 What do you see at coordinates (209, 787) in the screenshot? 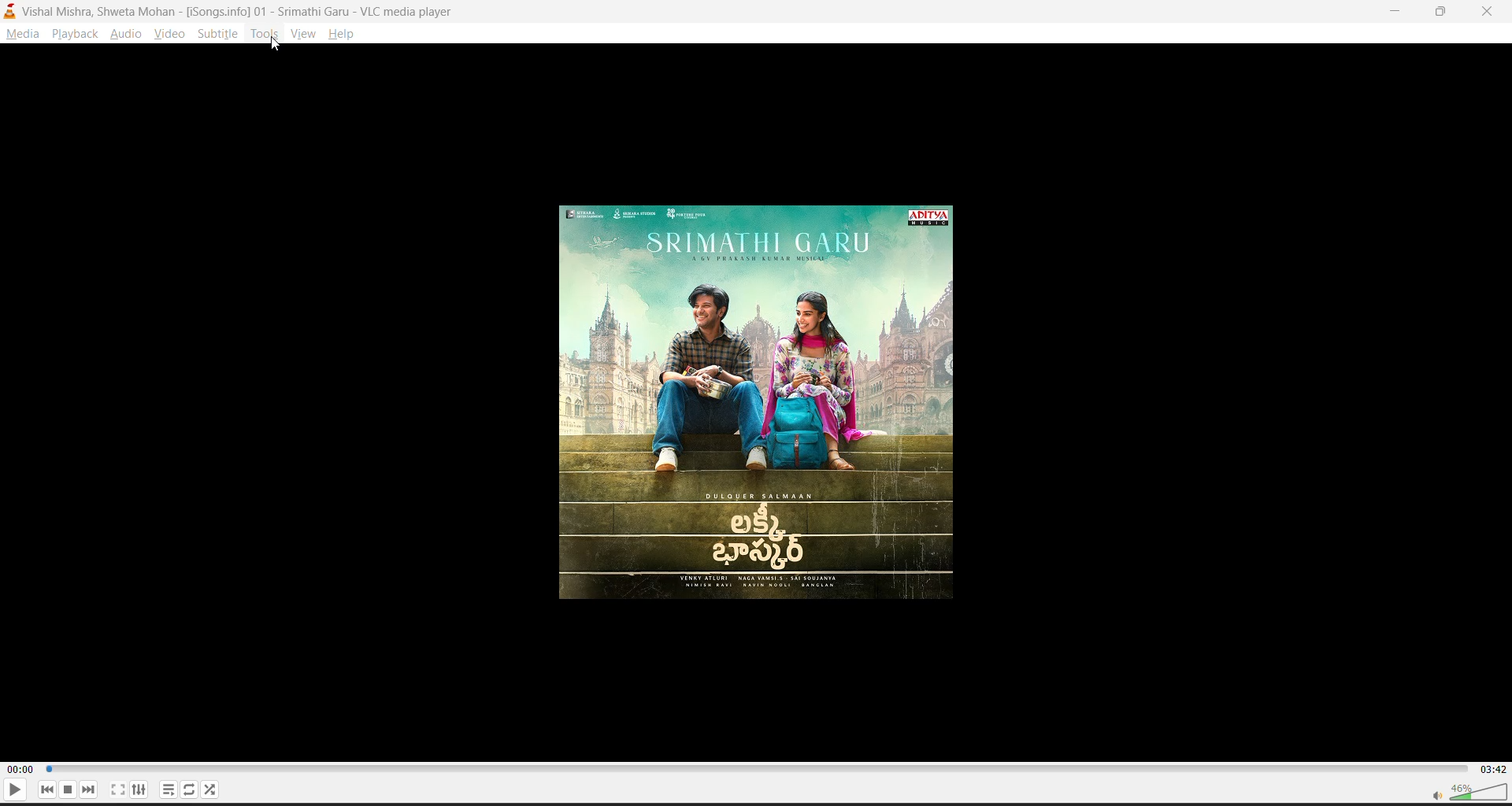
I see `random` at bounding box center [209, 787].